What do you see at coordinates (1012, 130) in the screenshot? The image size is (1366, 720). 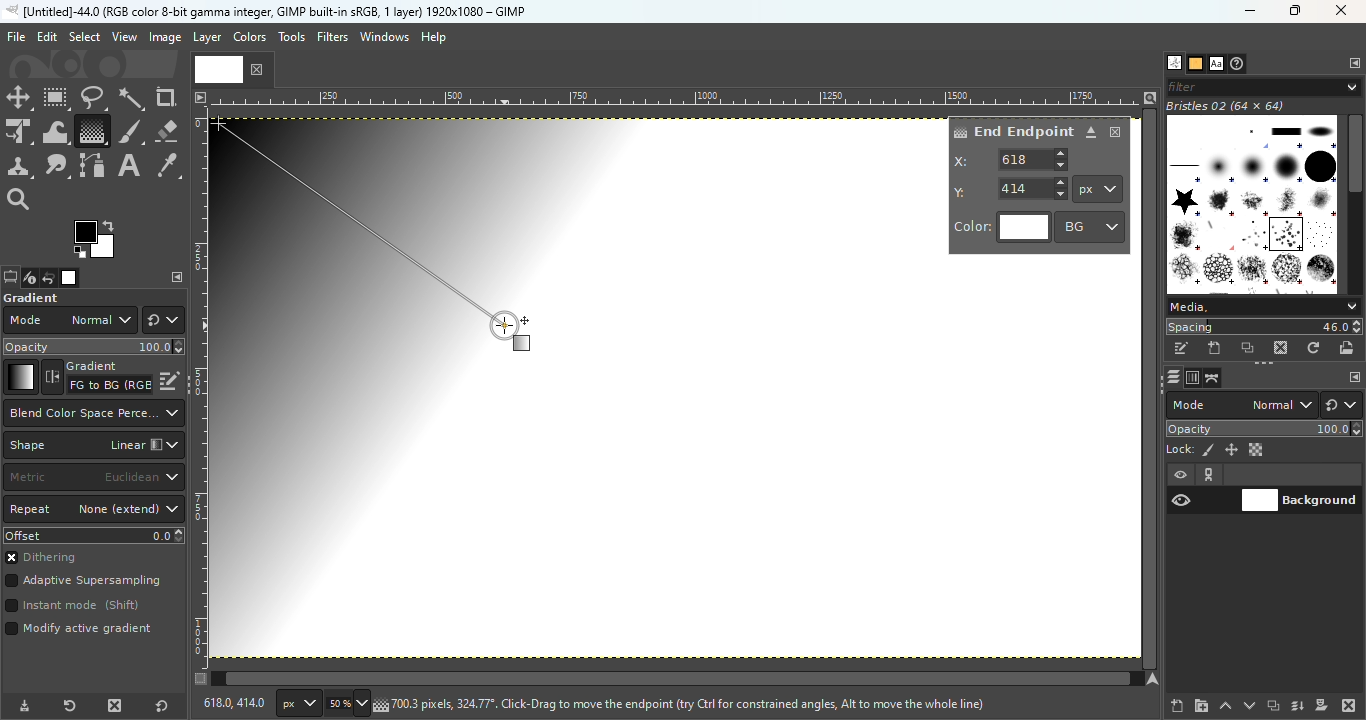 I see `End Endpoint` at bounding box center [1012, 130].